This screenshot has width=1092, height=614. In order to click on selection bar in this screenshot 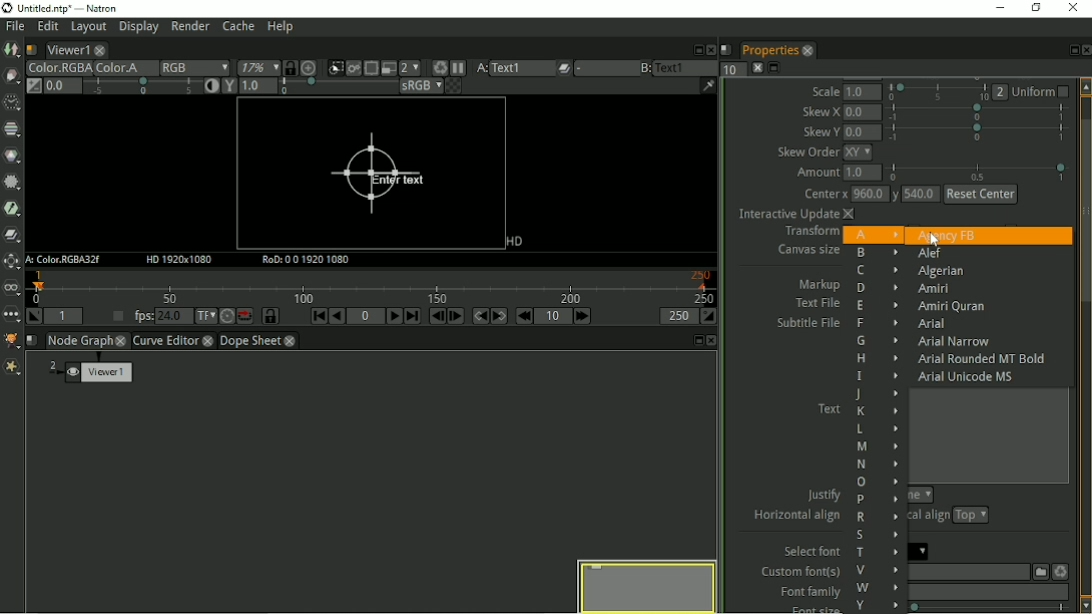, I will do `click(977, 113)`.